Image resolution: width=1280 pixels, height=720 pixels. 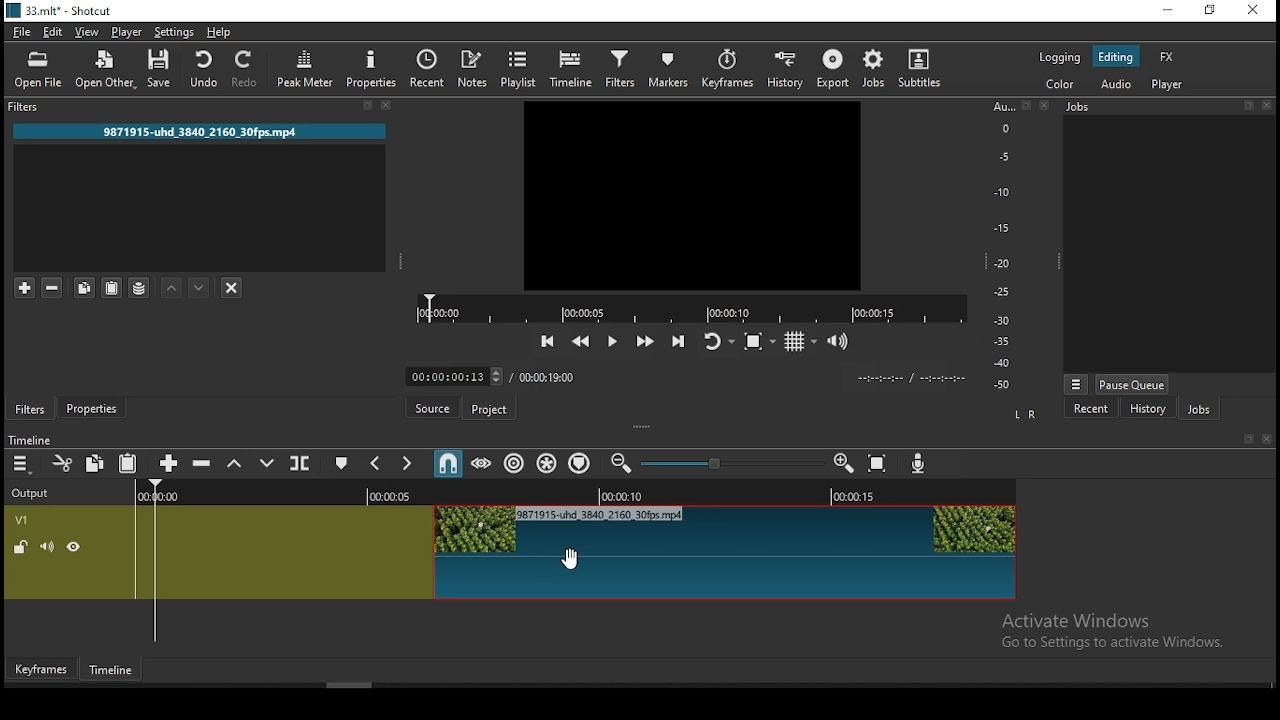 What do you see at coordinates (22, 33) in the screenshot?
I see `file` at bounding box center [22, 33].